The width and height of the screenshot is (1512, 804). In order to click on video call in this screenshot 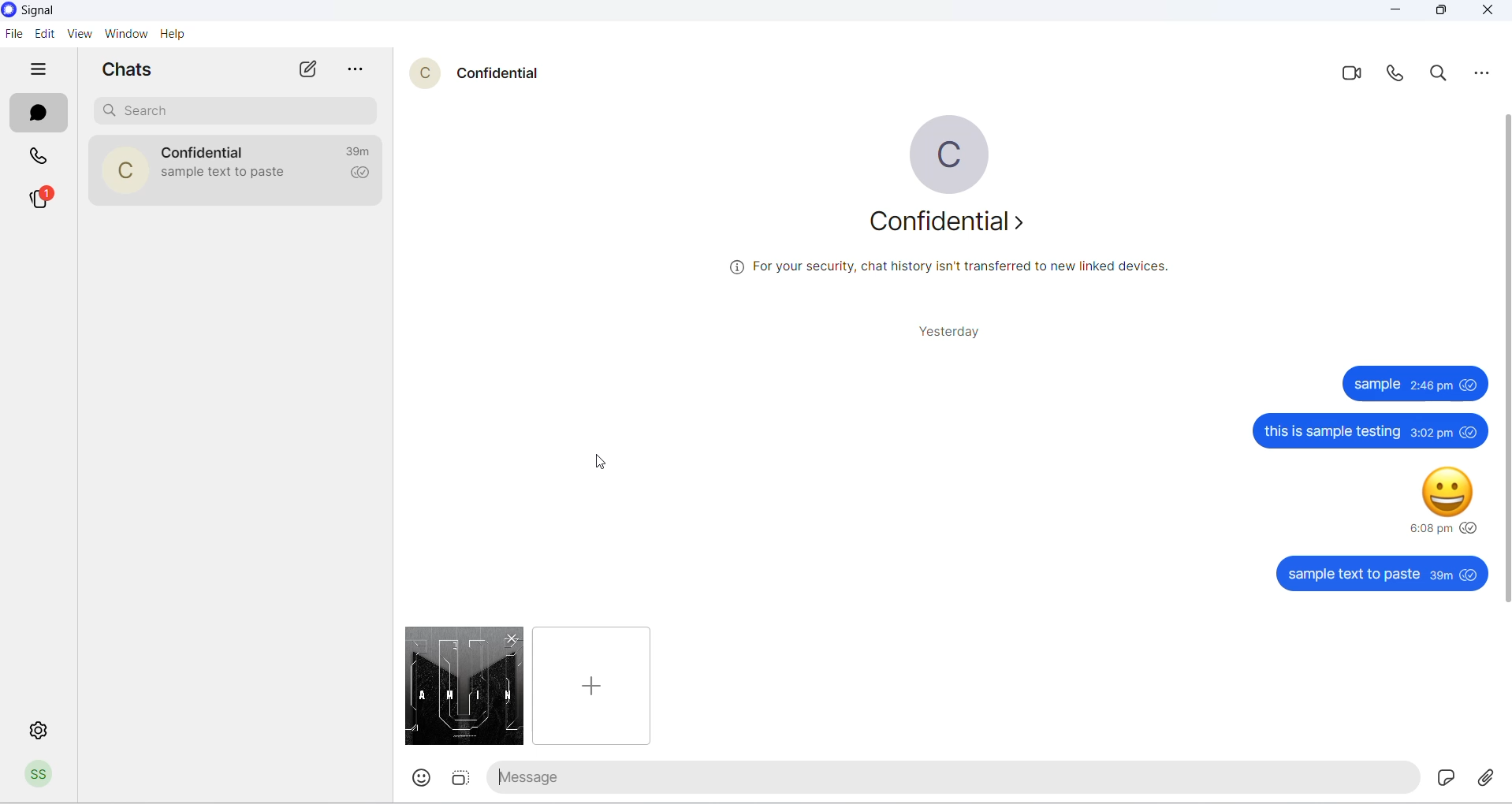, I will do `click(1354, 74)`.